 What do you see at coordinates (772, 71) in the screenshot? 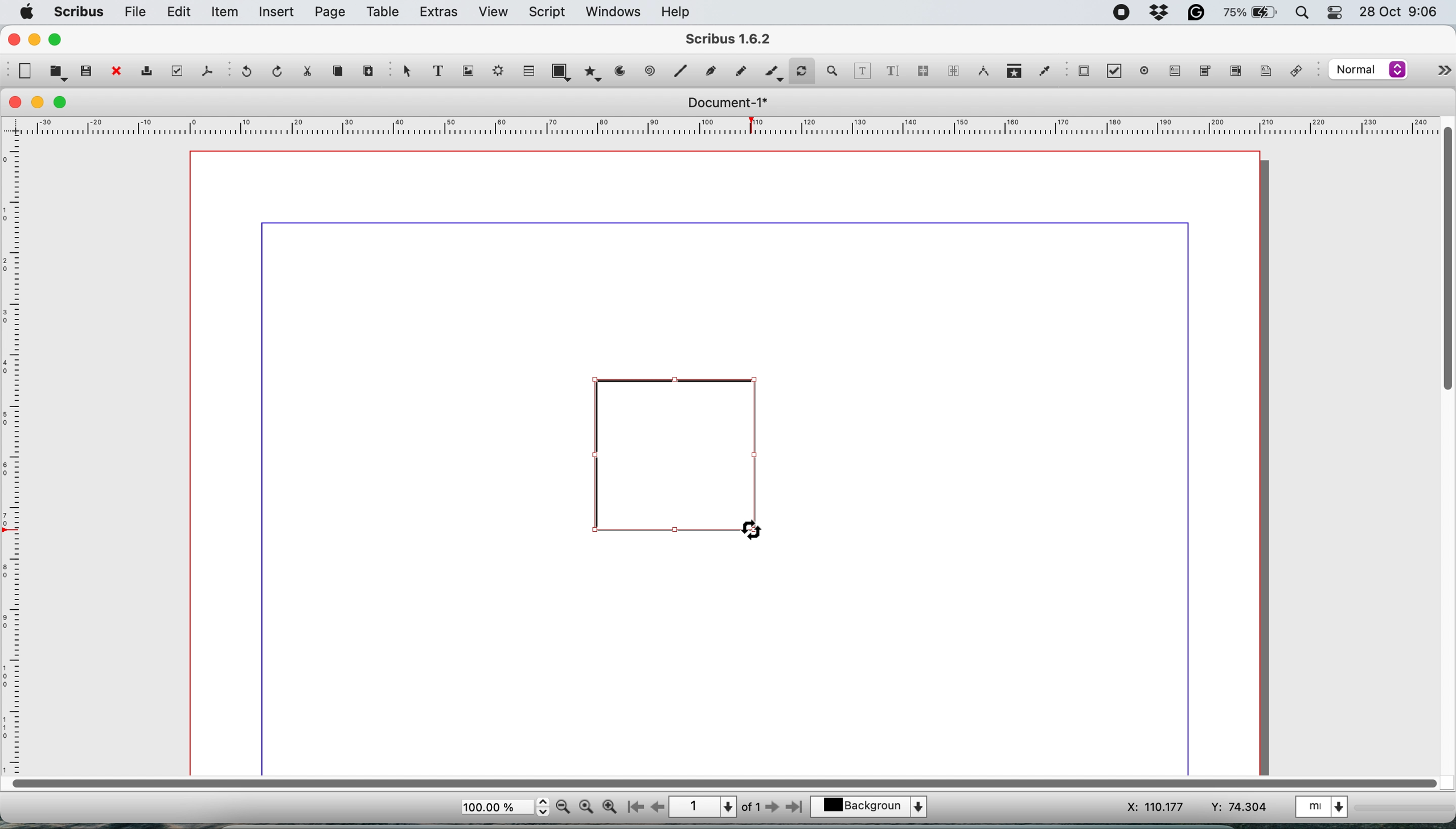
I see `calligraphic line` at bounding box center [772, 71].